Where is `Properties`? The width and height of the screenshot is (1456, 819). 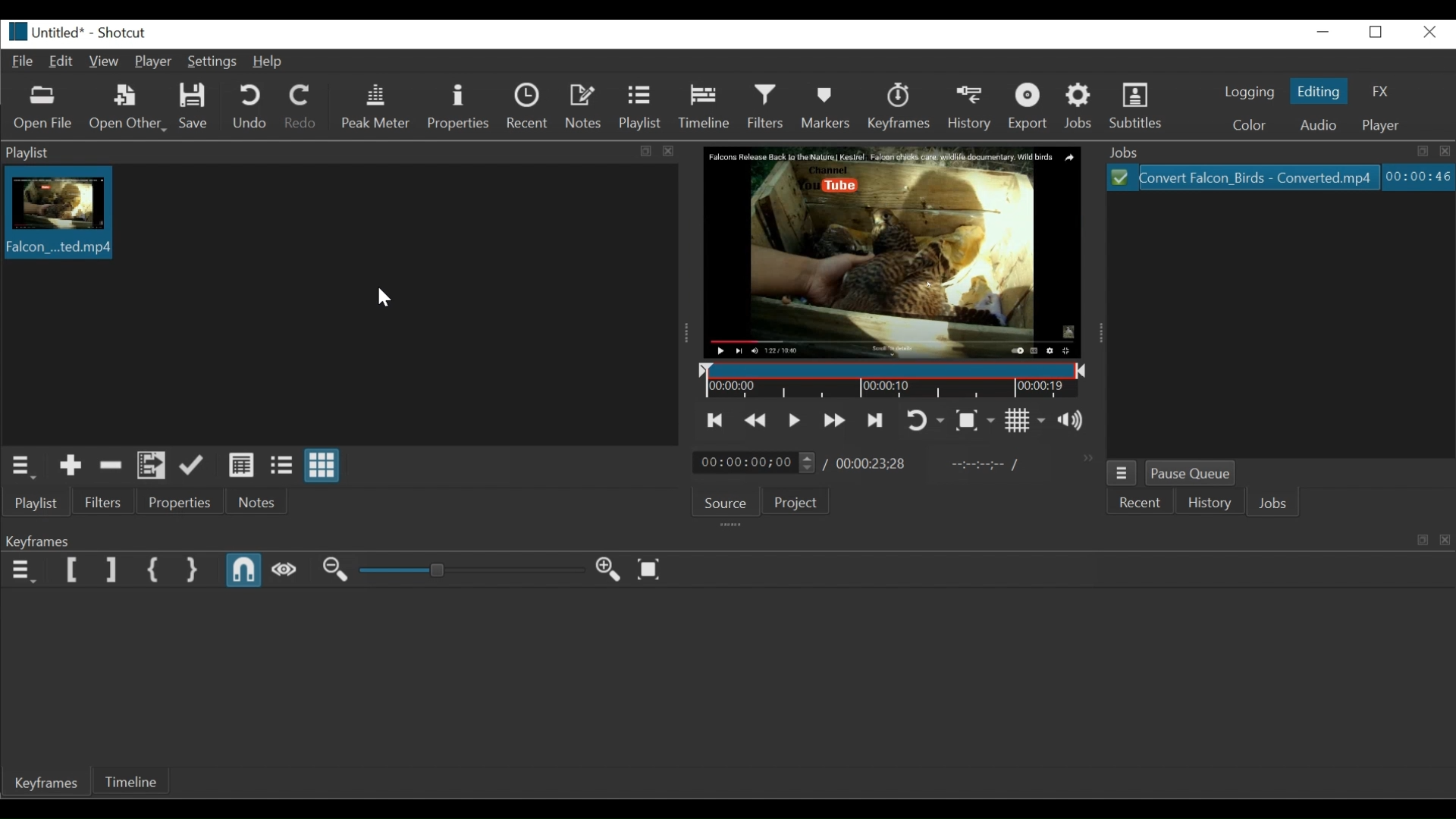 Properties is located at coordinates (184, 500).